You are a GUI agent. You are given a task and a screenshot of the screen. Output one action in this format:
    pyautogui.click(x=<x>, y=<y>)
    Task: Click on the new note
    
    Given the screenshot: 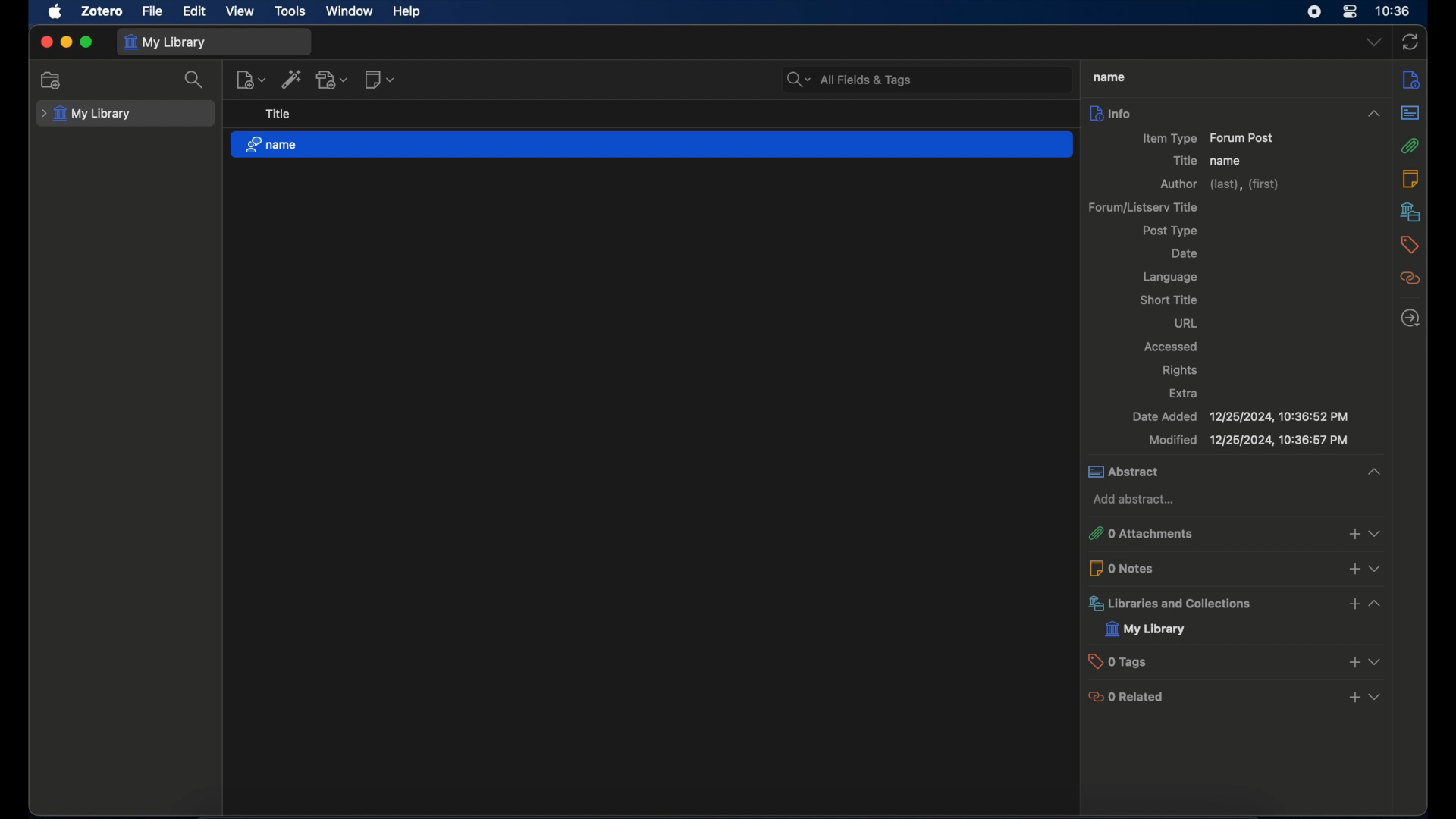 What is the action you would take?
    pyautogui.click(x=379, y=79)
    